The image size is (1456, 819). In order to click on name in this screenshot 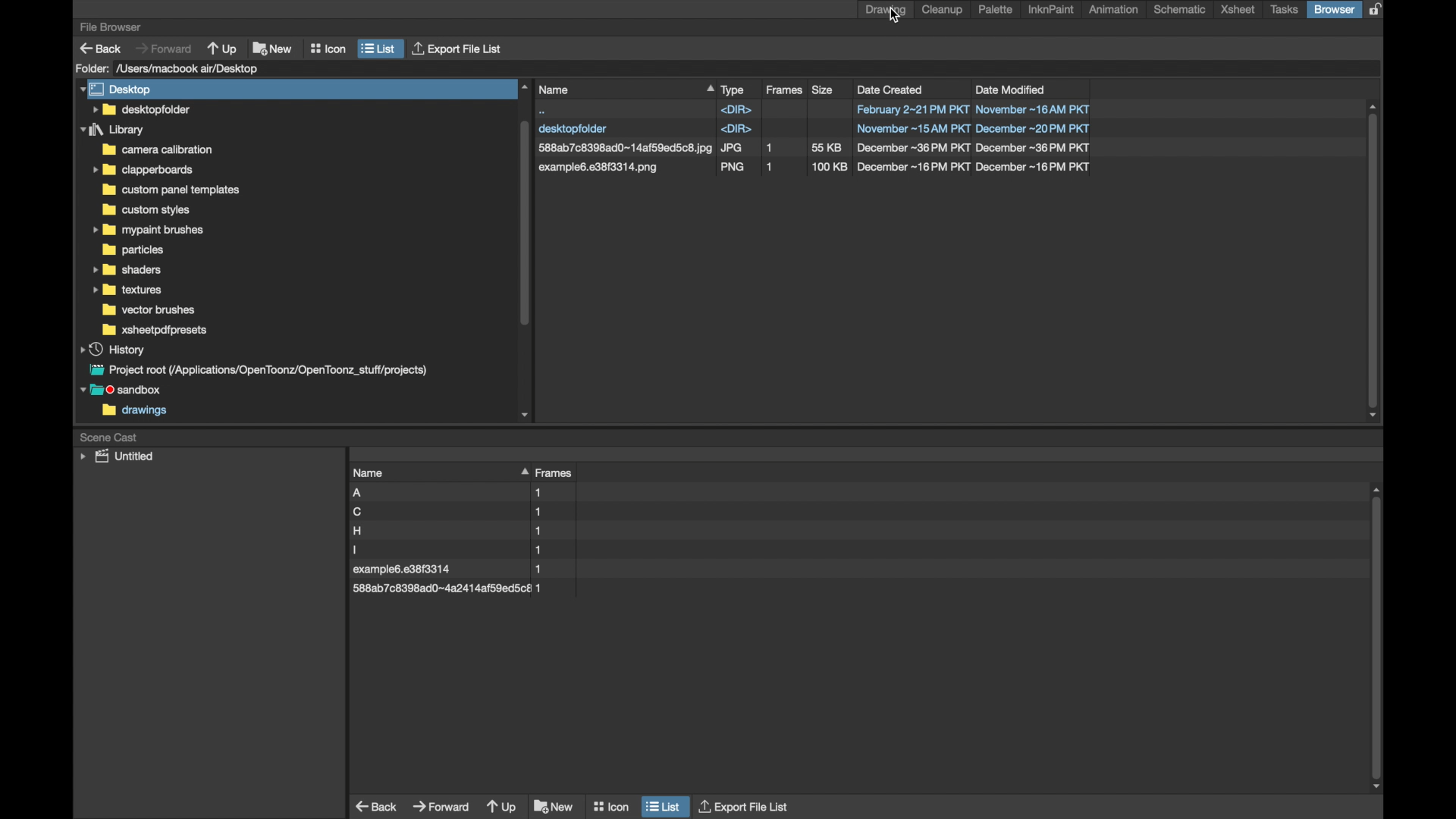, I will do `click(625, 89)`.